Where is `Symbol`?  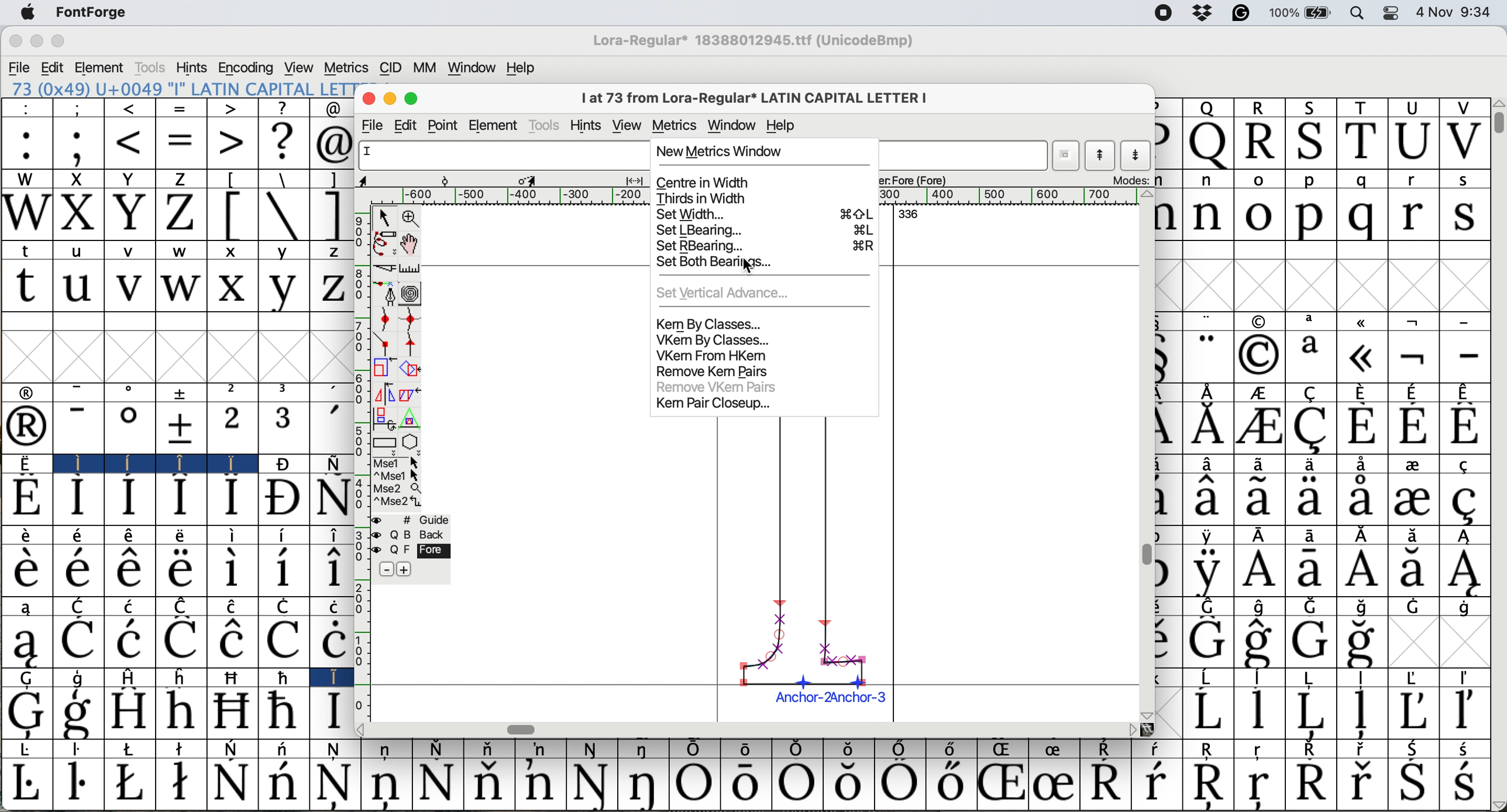
Symbol is located at coordinates (1412, 710).